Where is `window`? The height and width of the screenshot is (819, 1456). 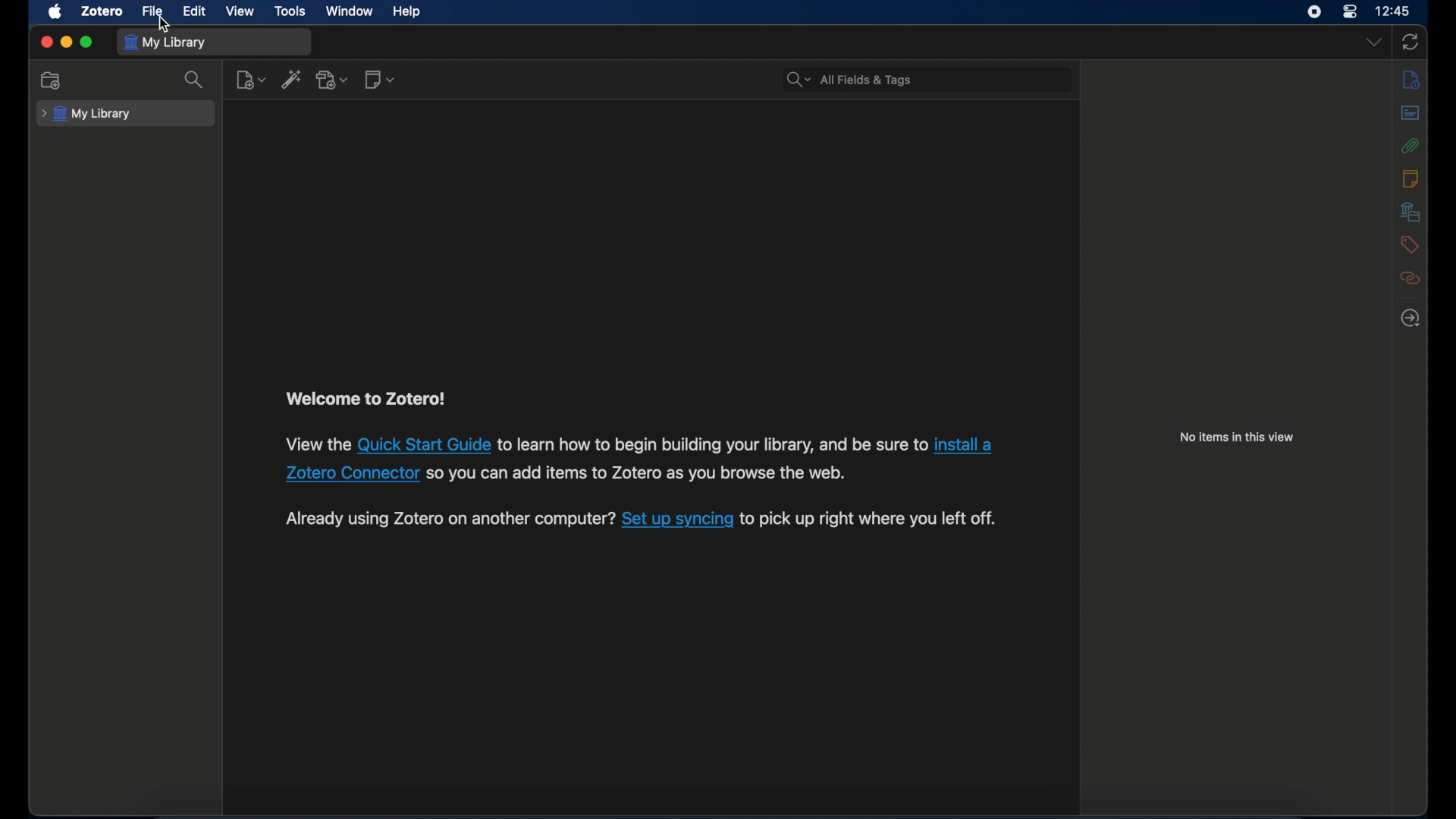
window is located at coordinates (350, 11).